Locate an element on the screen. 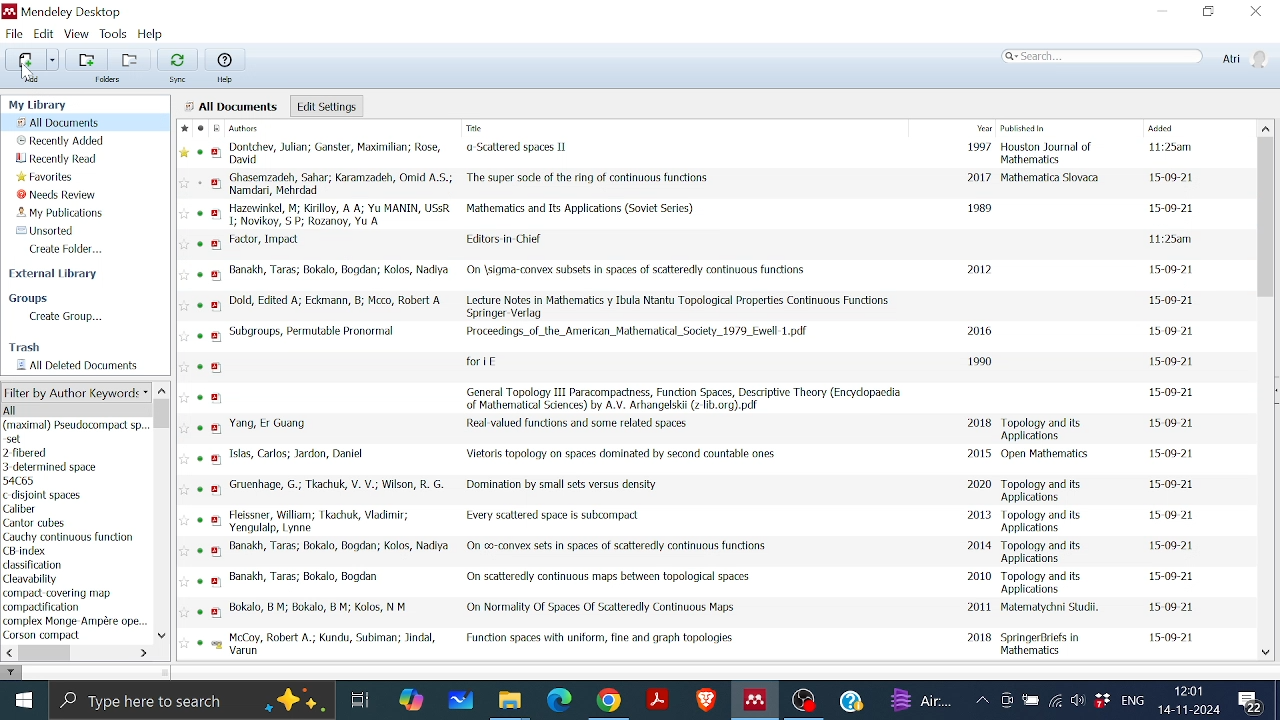  date is located at coordinates (1168, 578).